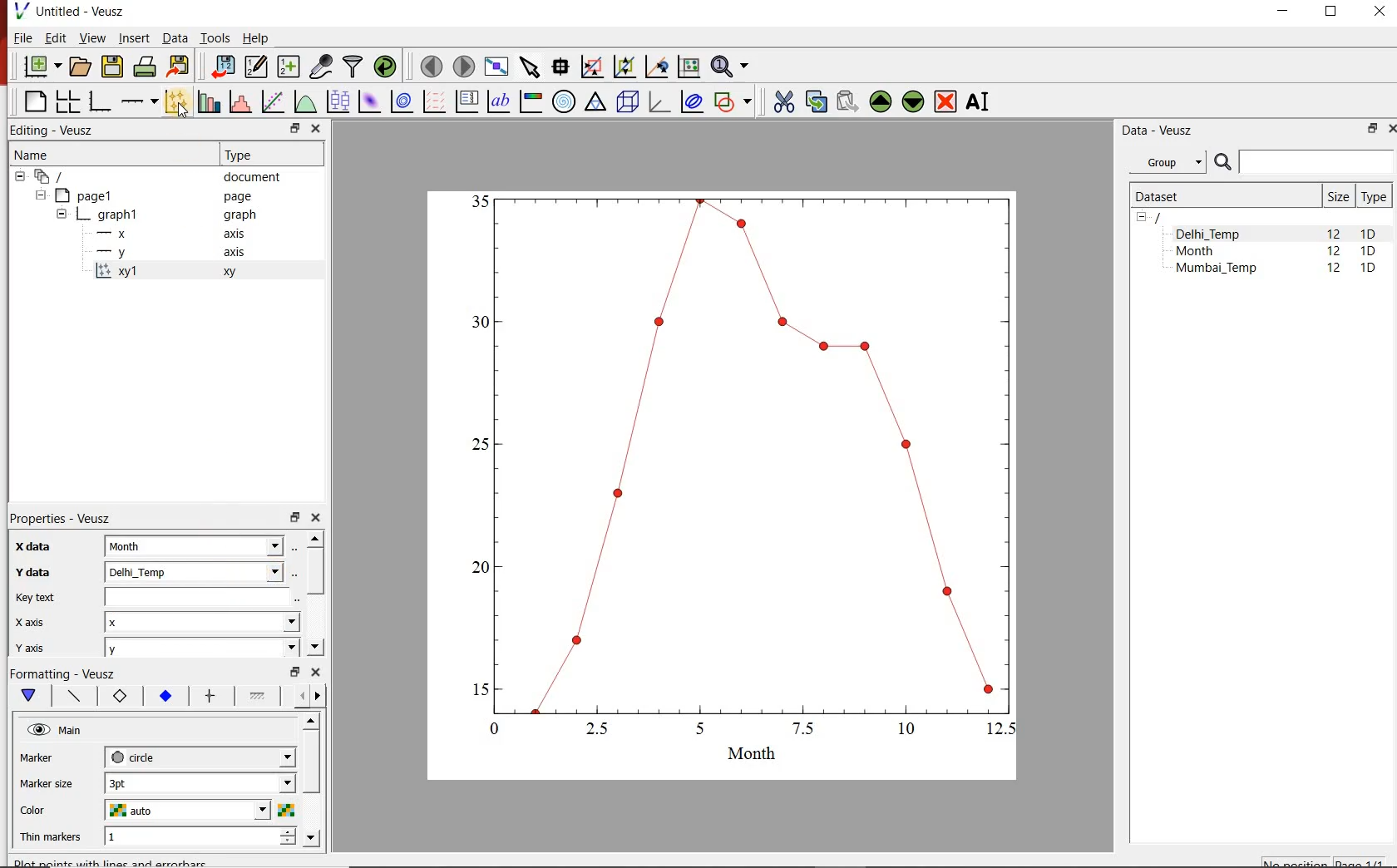 This screenshot has height=868, width=1397. I want to click on cursor, so click(183, 111).